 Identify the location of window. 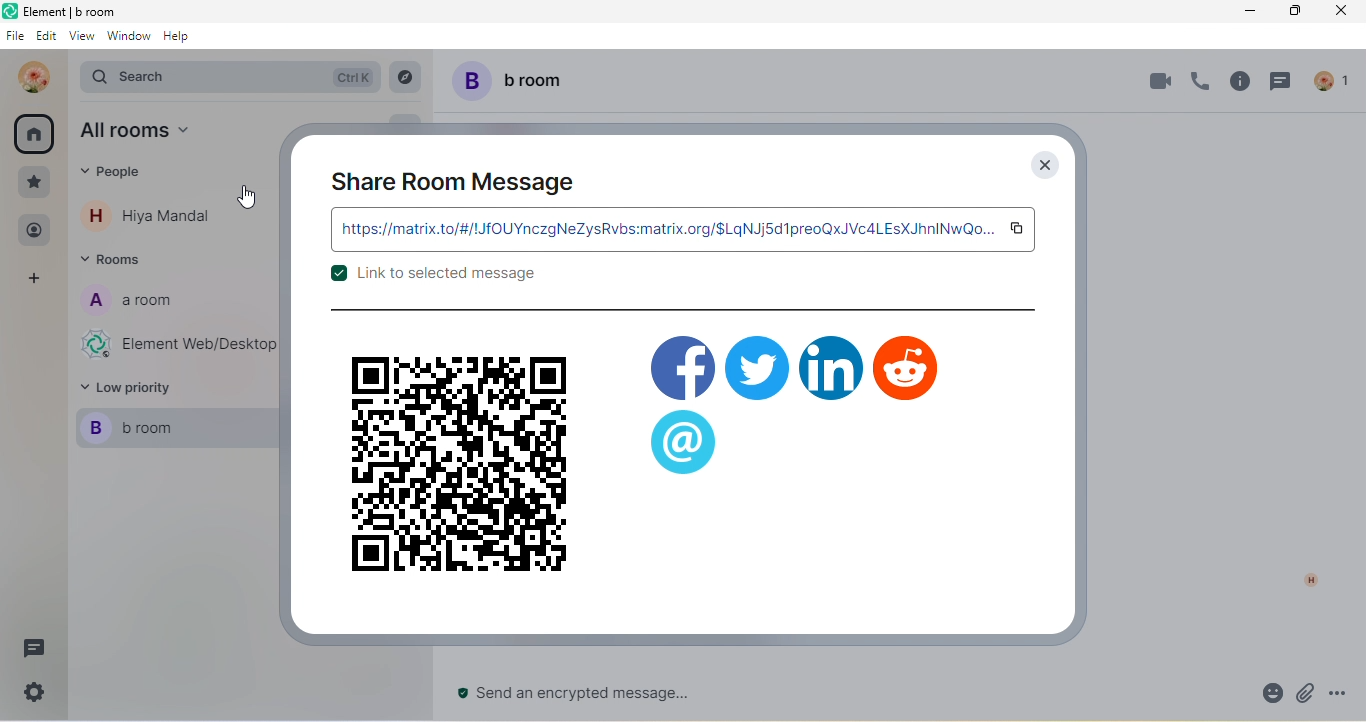
(128, 41).